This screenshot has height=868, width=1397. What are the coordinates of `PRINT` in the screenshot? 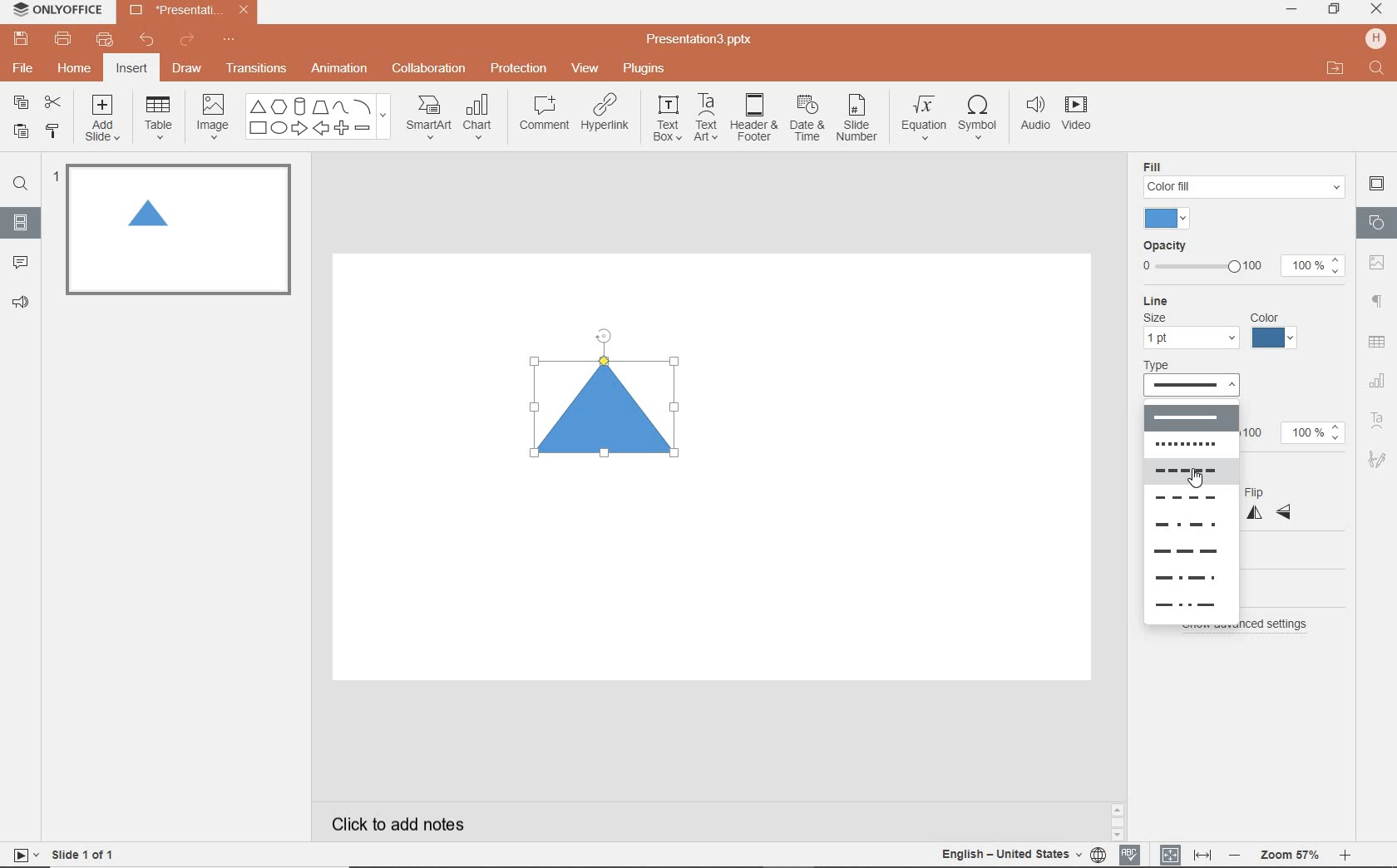 It's located at (62, 40).